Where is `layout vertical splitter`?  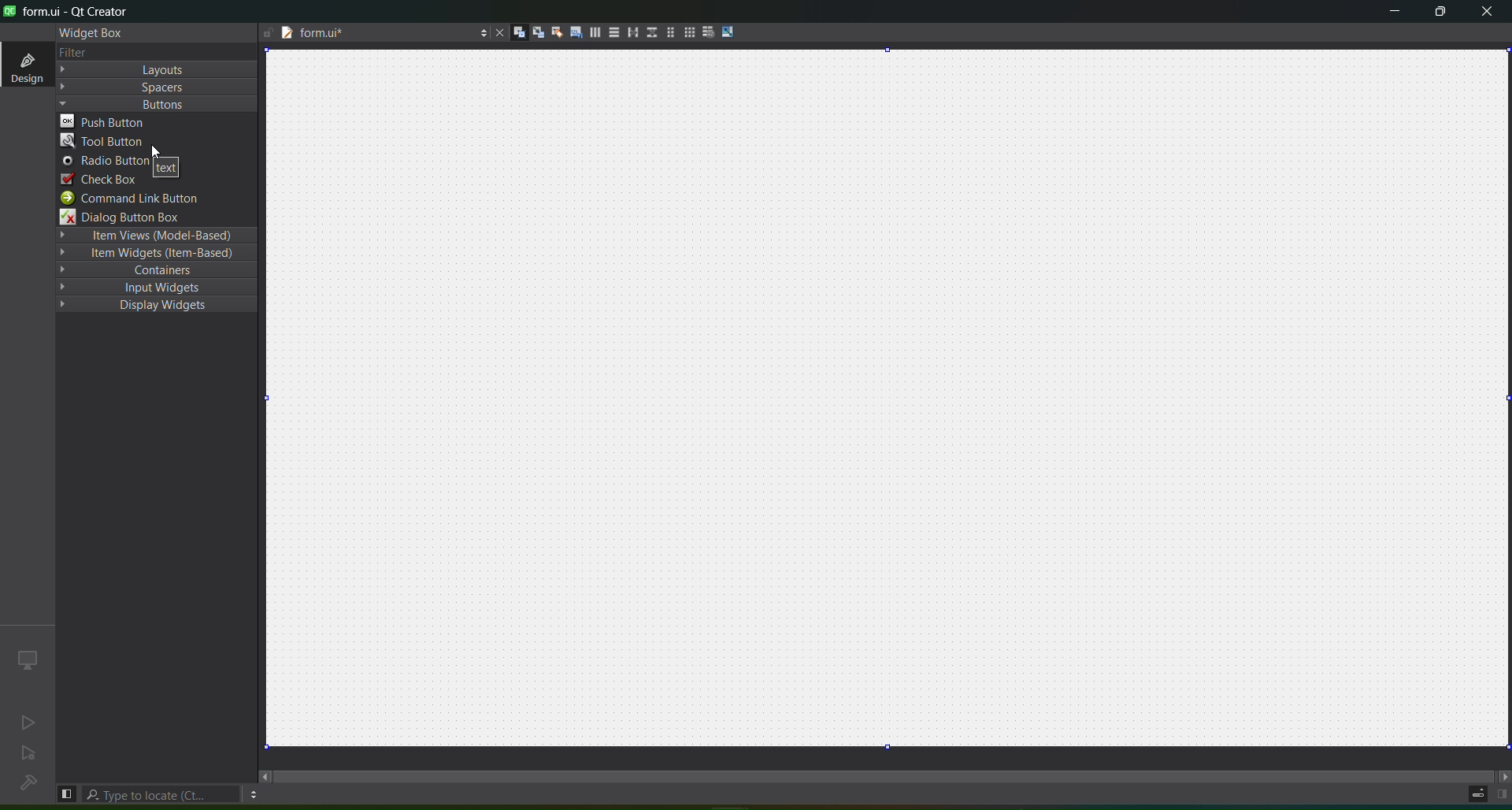
layout vertical splitter is located at coordinates (650, 33).